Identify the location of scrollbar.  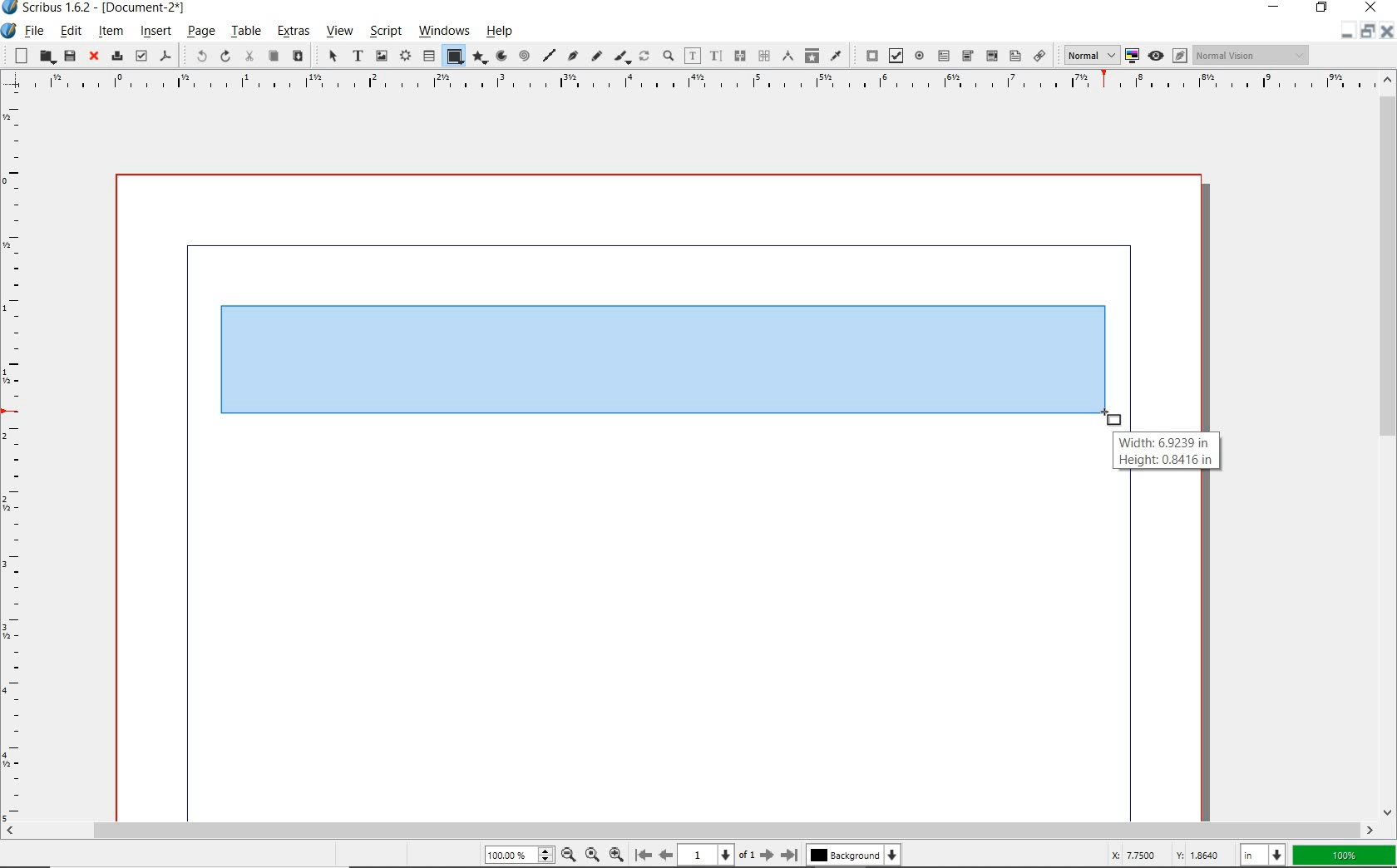
(690, 829).